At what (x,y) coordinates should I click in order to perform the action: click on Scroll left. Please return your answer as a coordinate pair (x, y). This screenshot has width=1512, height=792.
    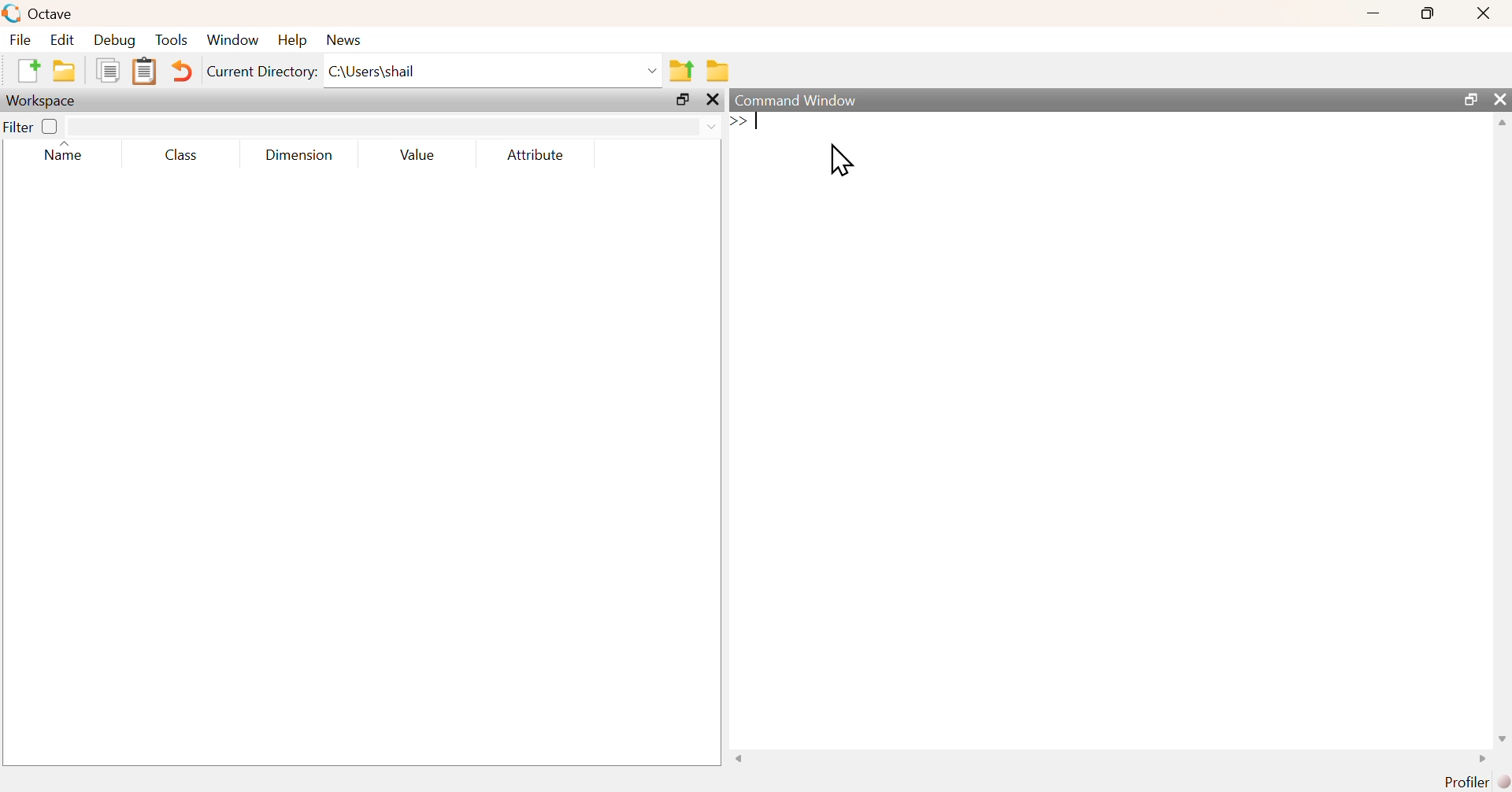
    Looking at the image, I should click on (744, 759).